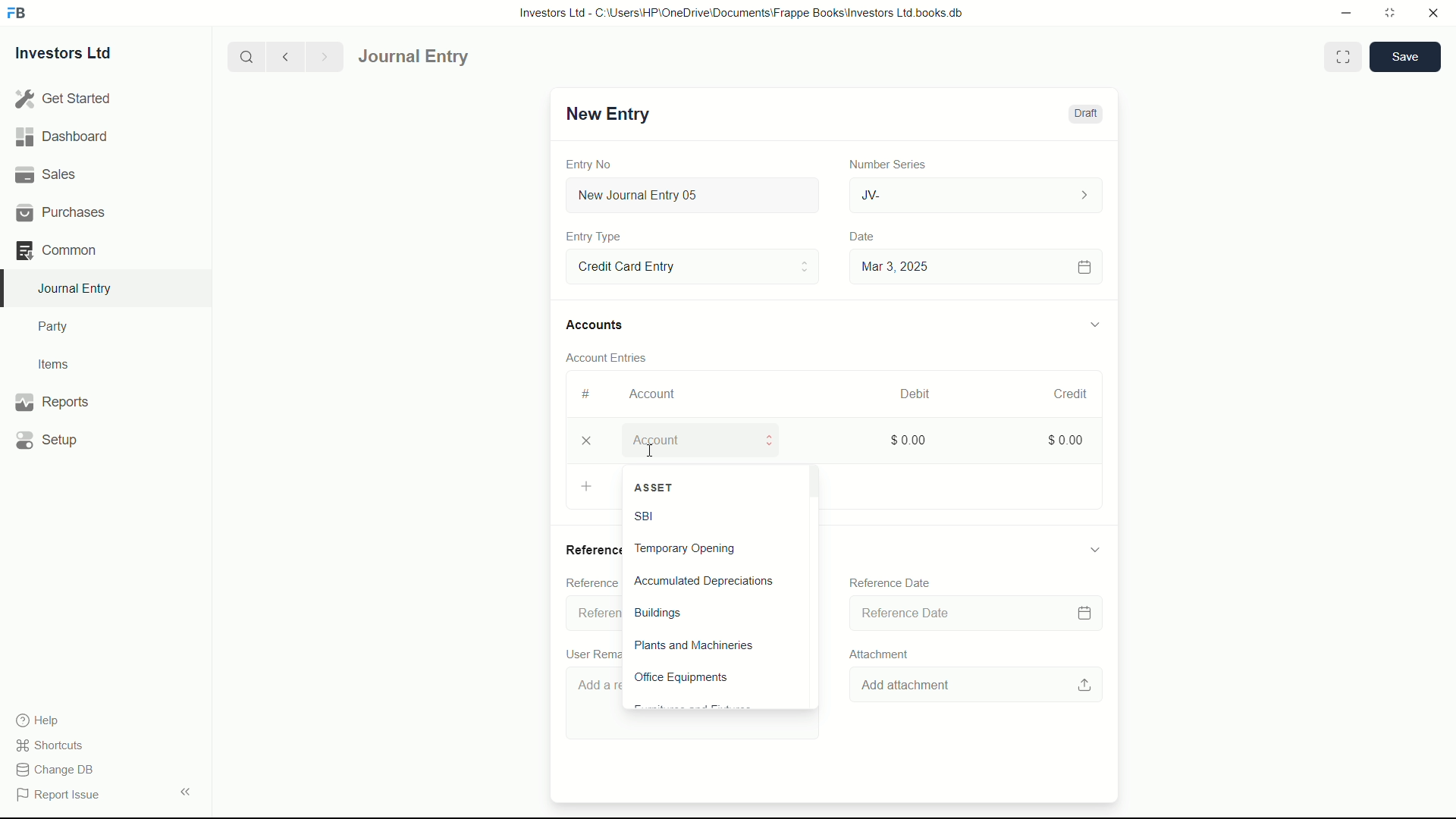 The height and width of the screenshot is (819, 1456). I want to click on Reports ., so click(52, 400).